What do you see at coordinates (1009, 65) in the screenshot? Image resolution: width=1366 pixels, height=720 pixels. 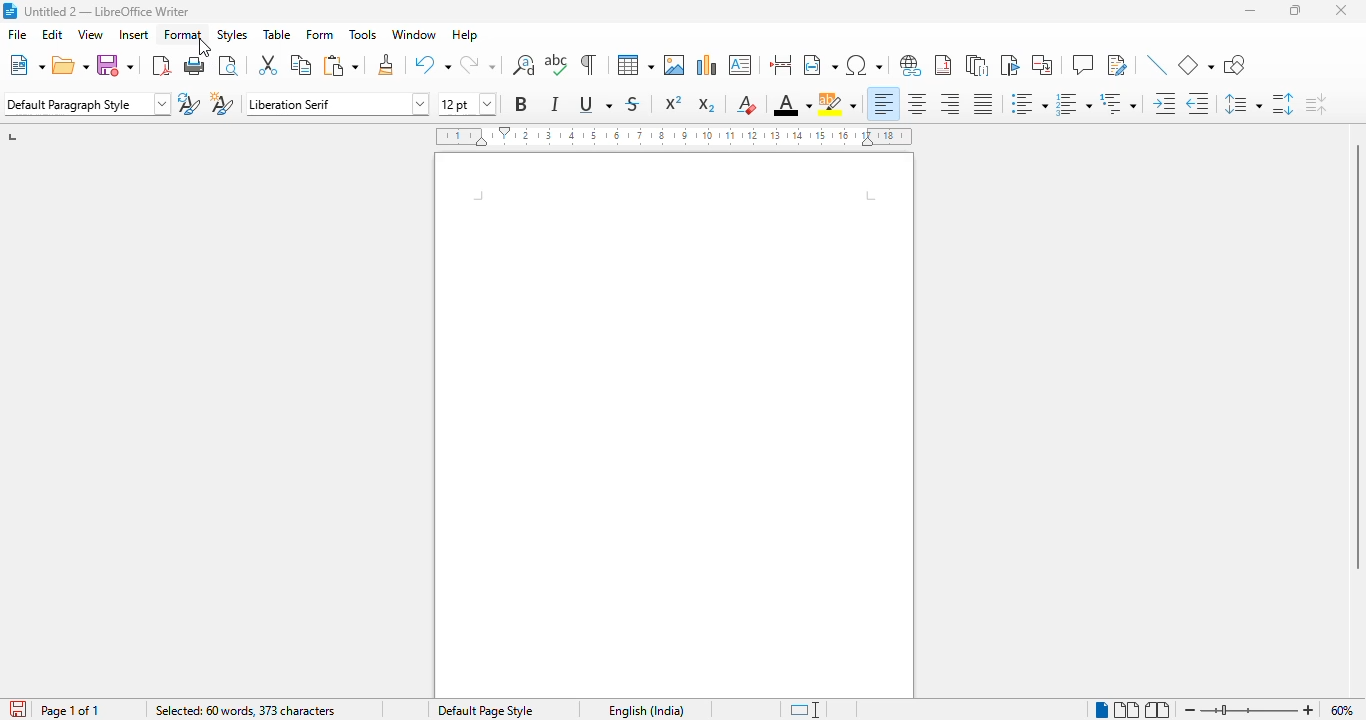 I see `insert bookmark` at bounding box center [1009, 65].